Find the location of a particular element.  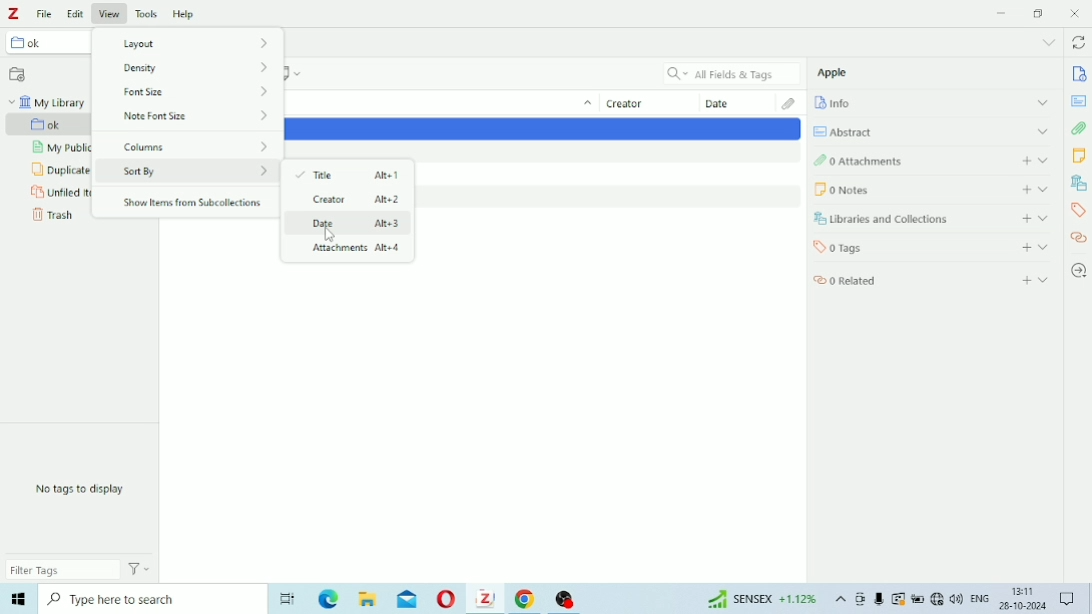

add is located at coordinates (1024, 247).